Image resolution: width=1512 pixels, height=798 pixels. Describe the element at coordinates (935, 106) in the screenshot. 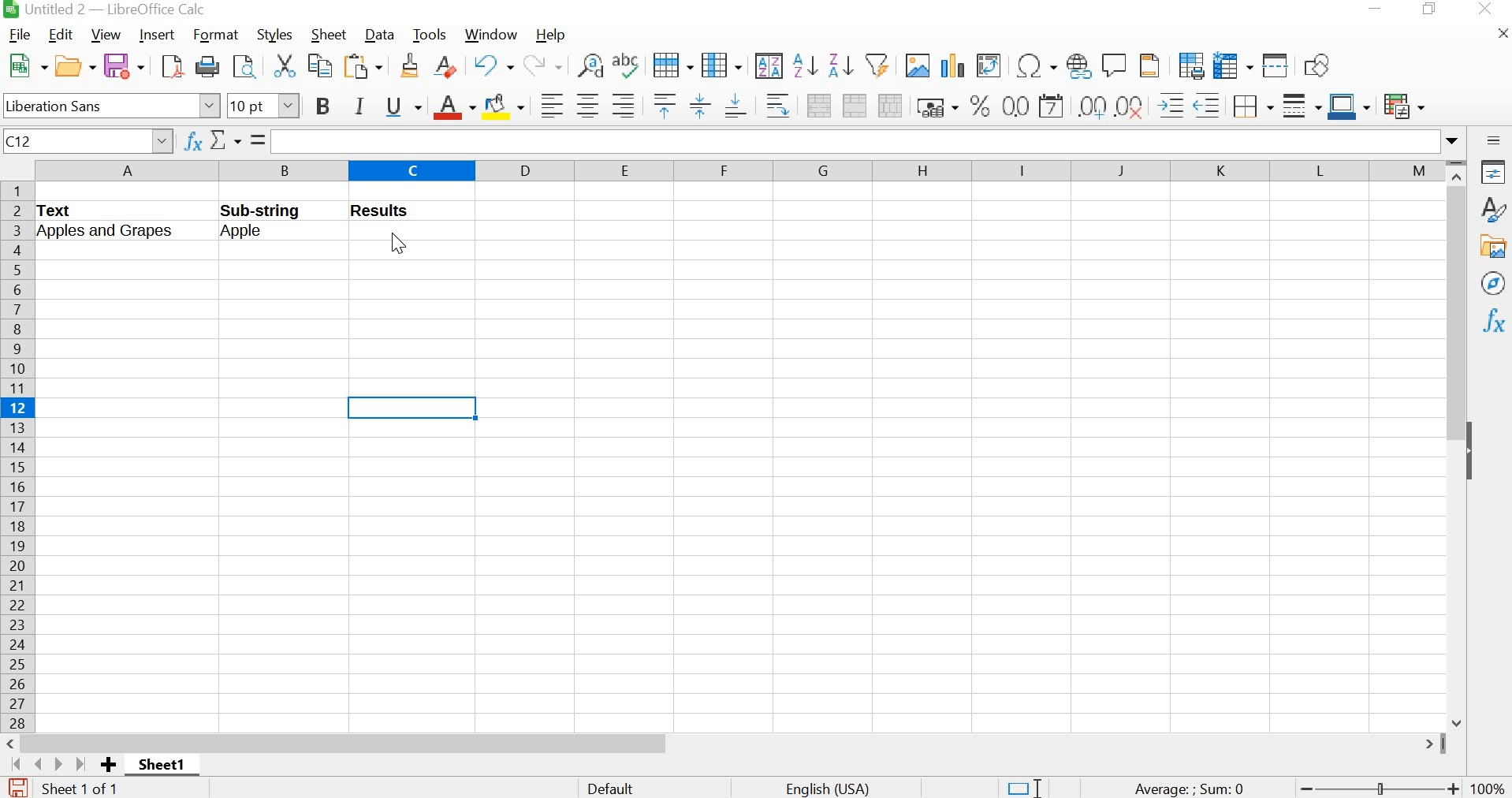

I see `format as currency` at that location.